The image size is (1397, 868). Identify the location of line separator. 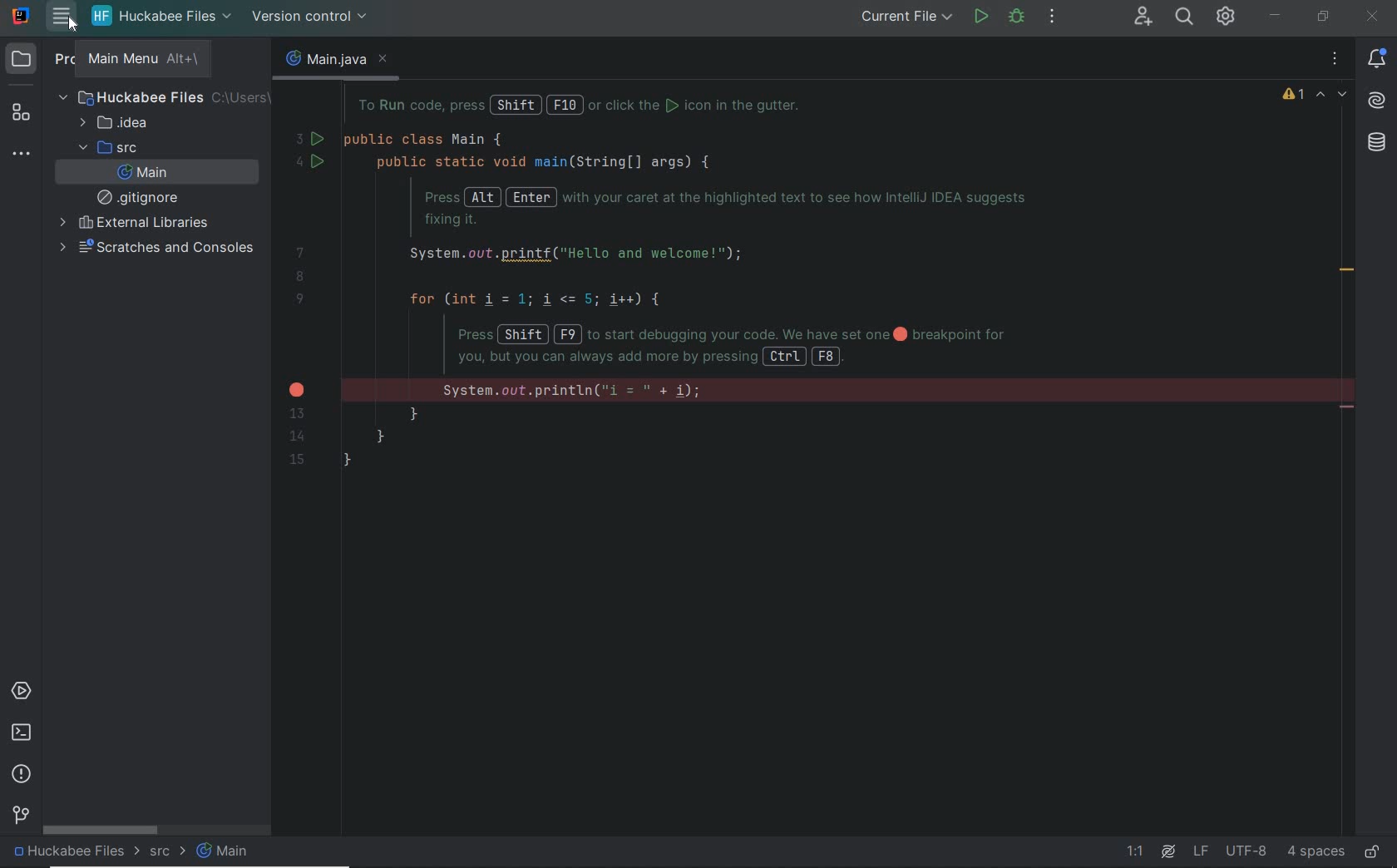
(1201, 852).